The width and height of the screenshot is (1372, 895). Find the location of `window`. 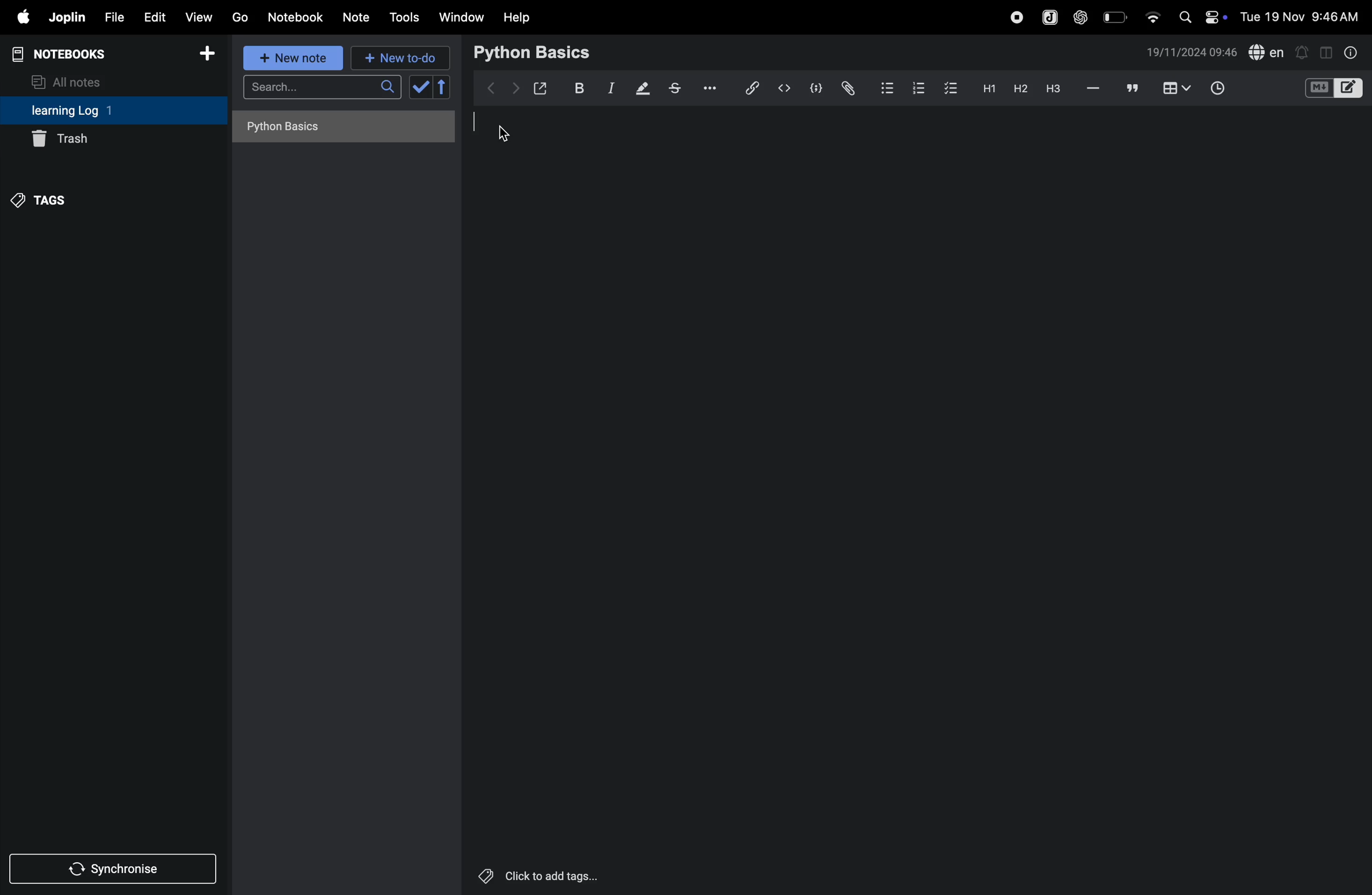

window is located at coordinates (462, 17).